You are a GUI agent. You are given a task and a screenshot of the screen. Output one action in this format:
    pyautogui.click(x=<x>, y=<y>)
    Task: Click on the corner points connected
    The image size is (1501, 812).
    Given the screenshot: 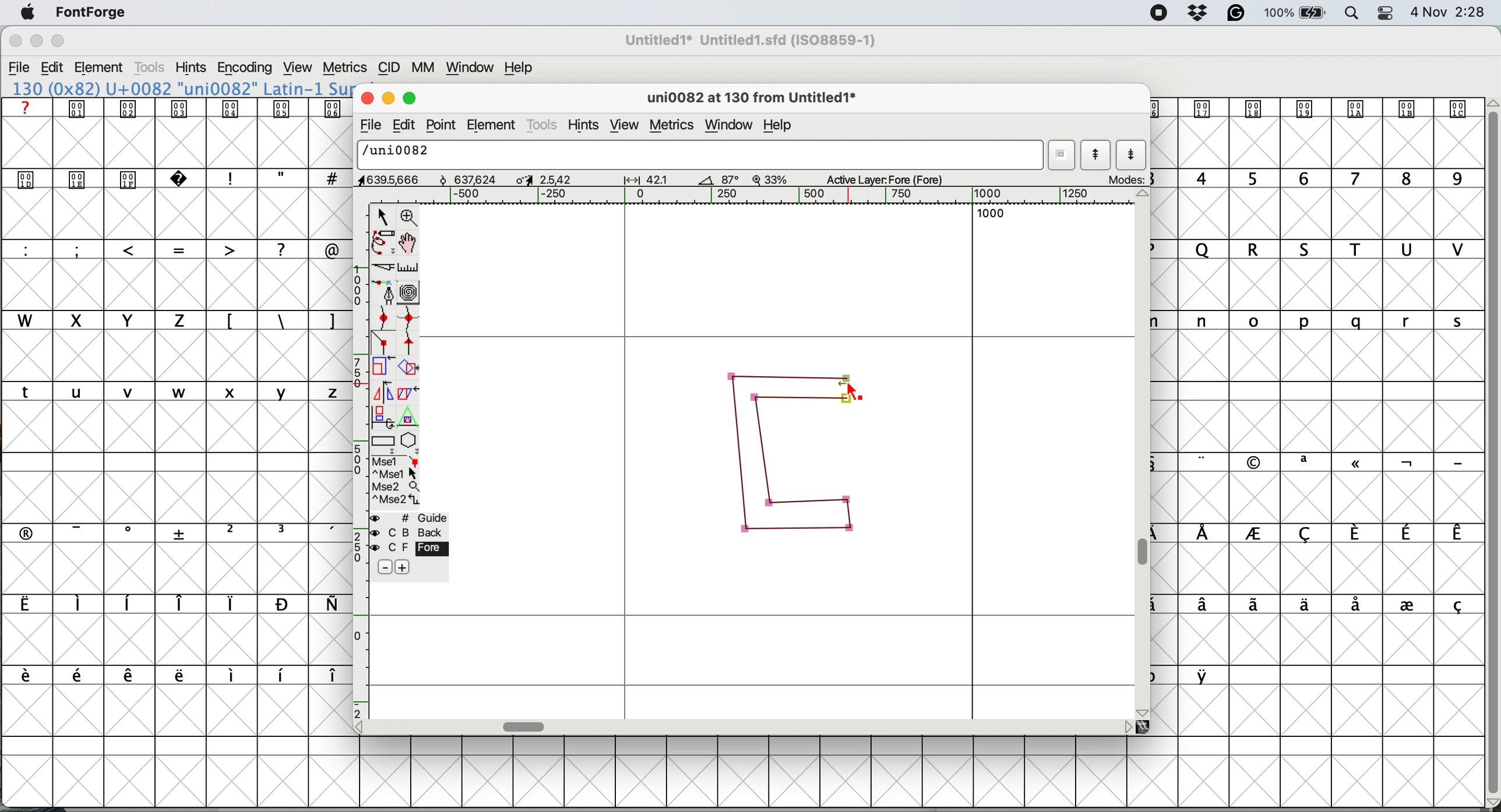 What is the action you would take?
    pyautogui.click(x=791, y=531)
    